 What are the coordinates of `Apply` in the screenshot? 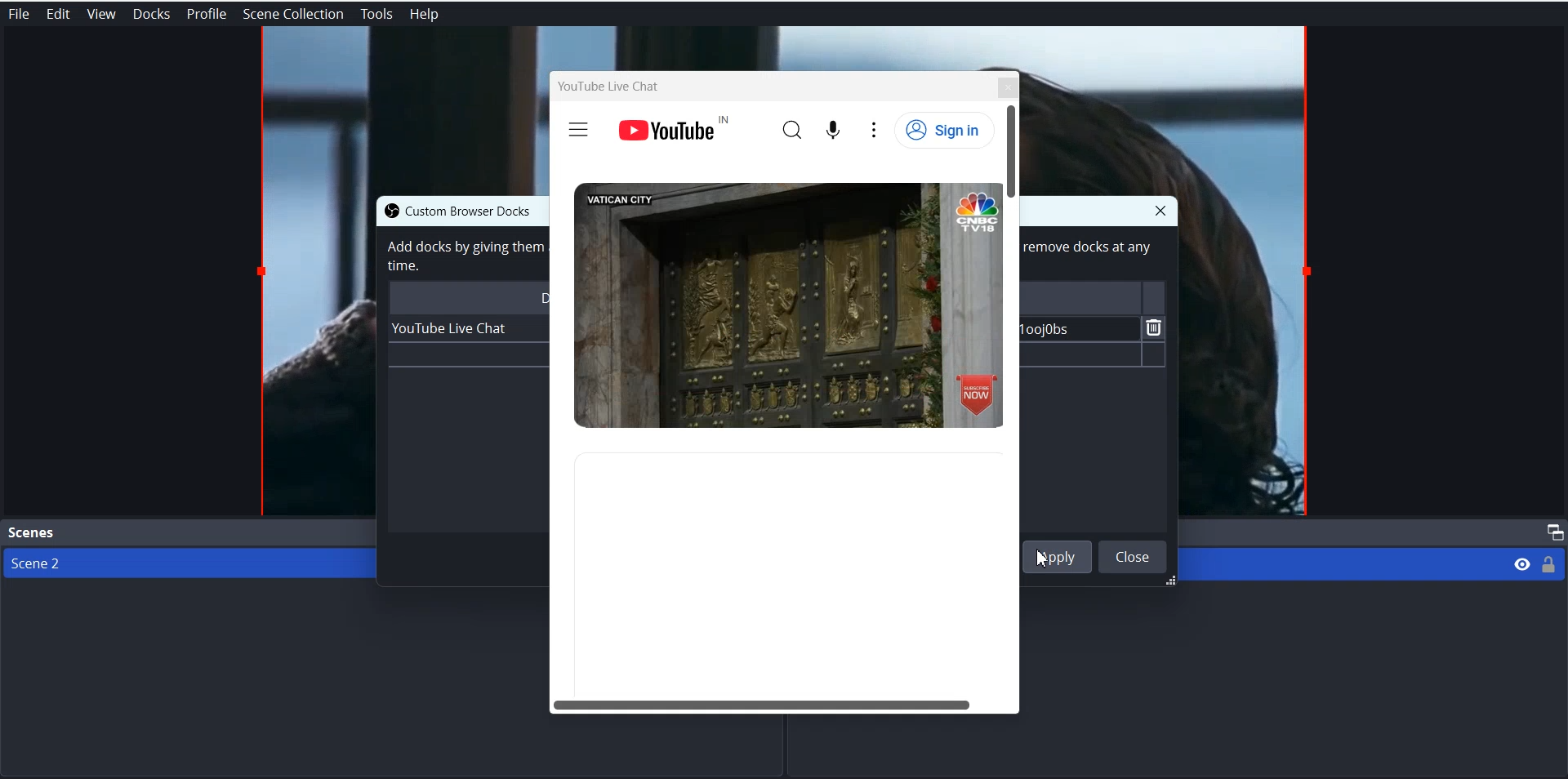 It's located at (1062, 558).